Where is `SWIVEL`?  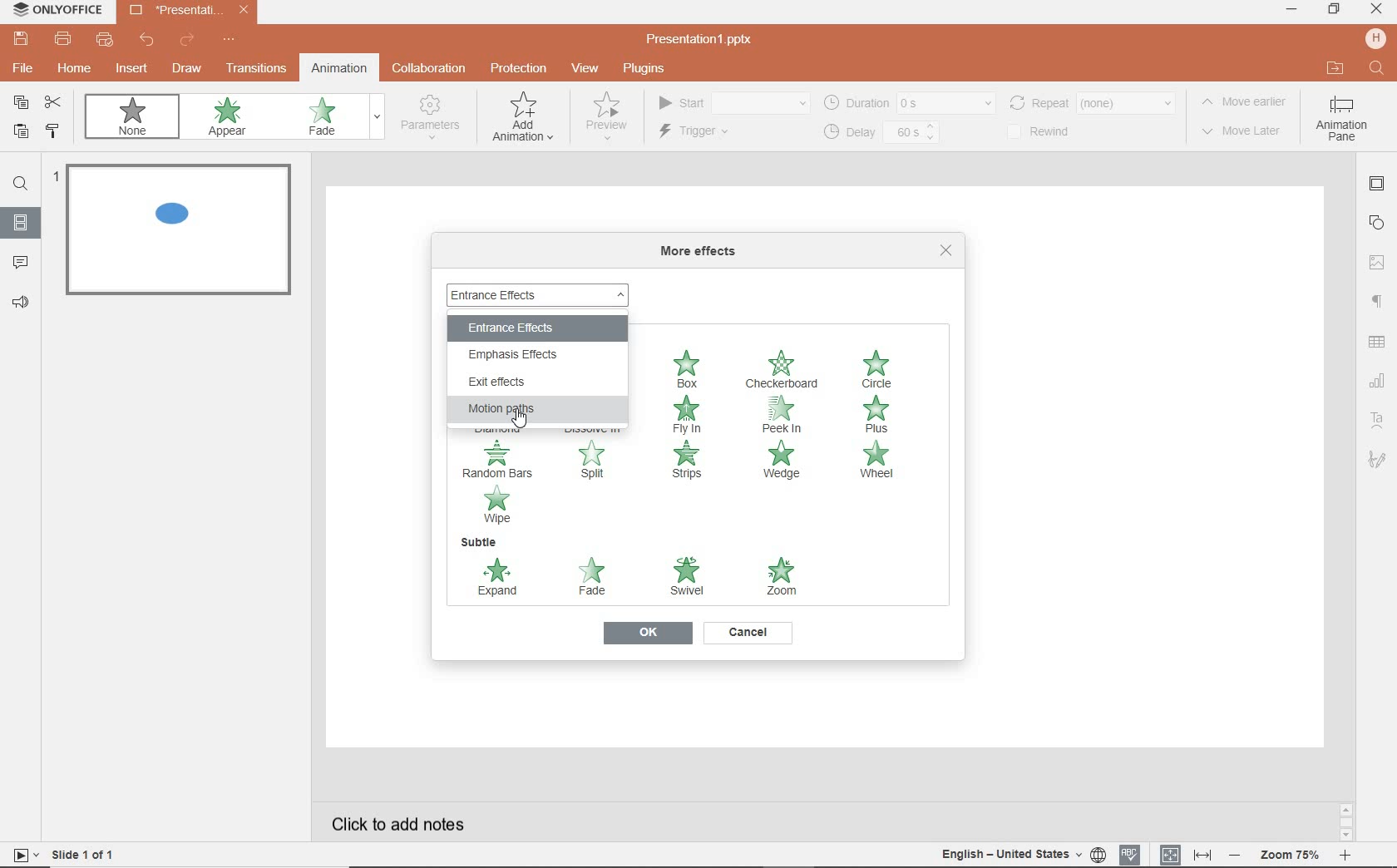 SWIVEL is located at coordinates (687, 577).